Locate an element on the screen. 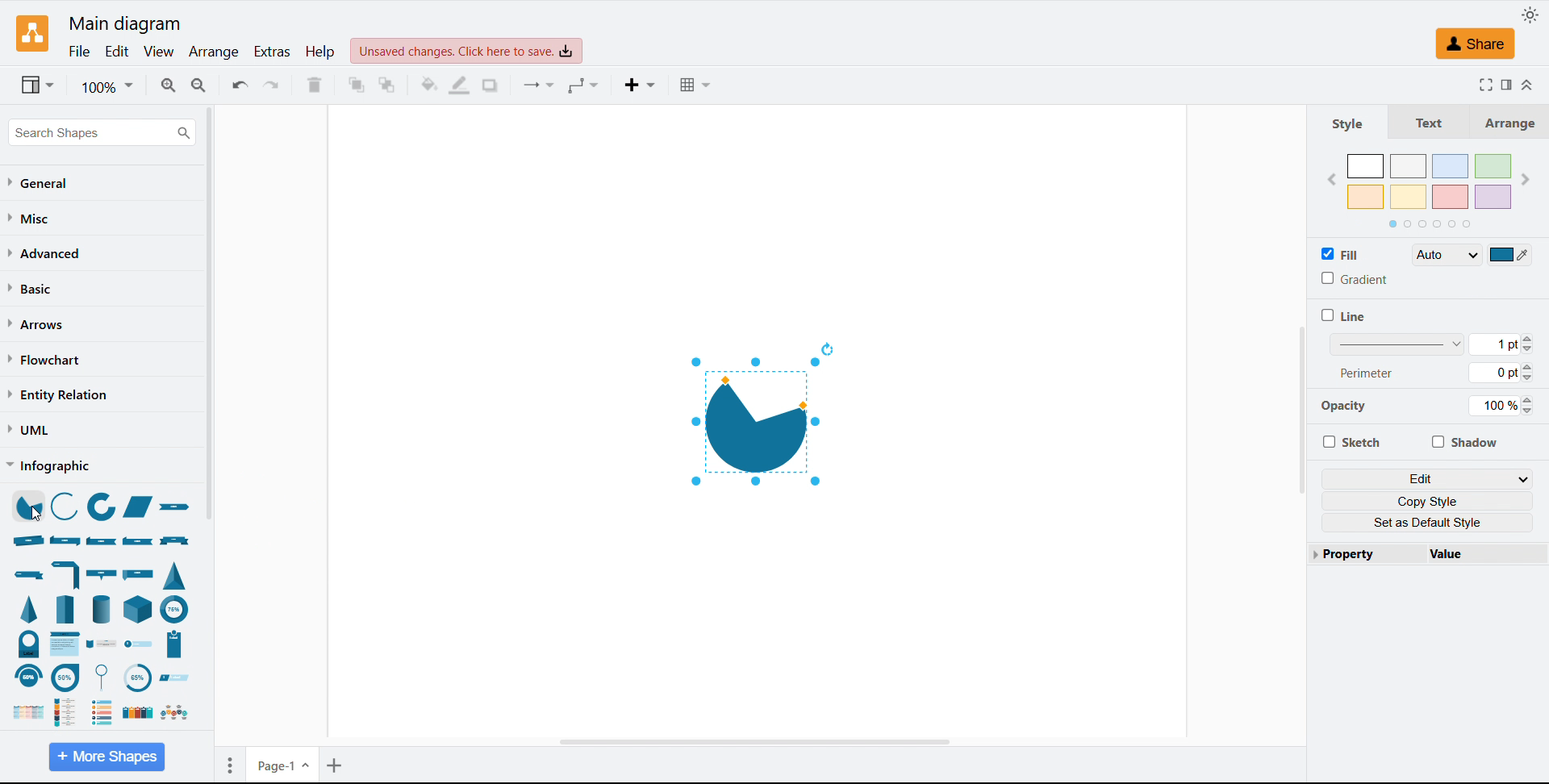 The width and height of the screenshot is (1549, 784). ribbon rolled is located at coordinates (28, 541).